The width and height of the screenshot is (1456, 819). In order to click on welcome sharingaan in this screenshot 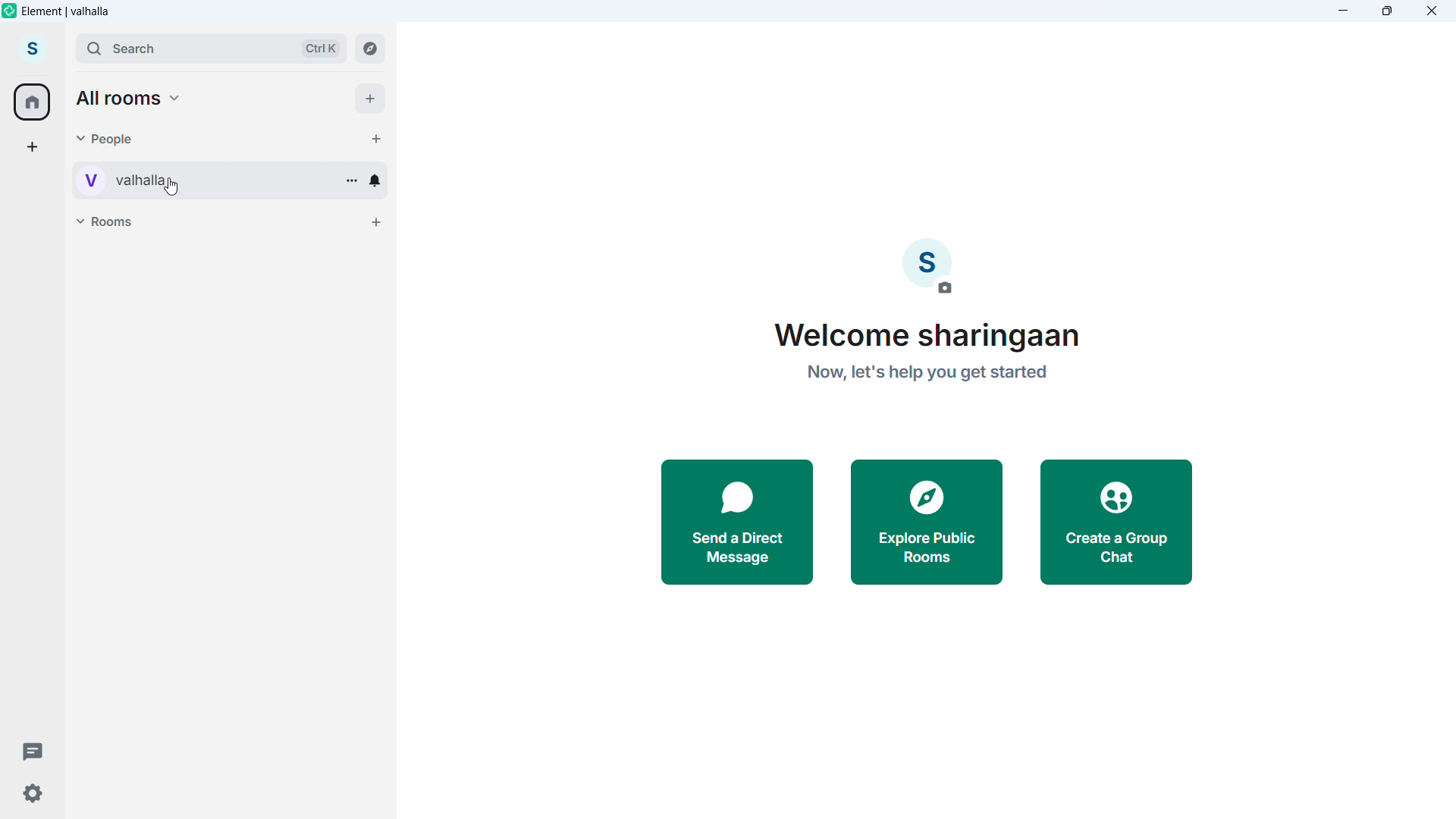, I will do `click(932, 335)`.